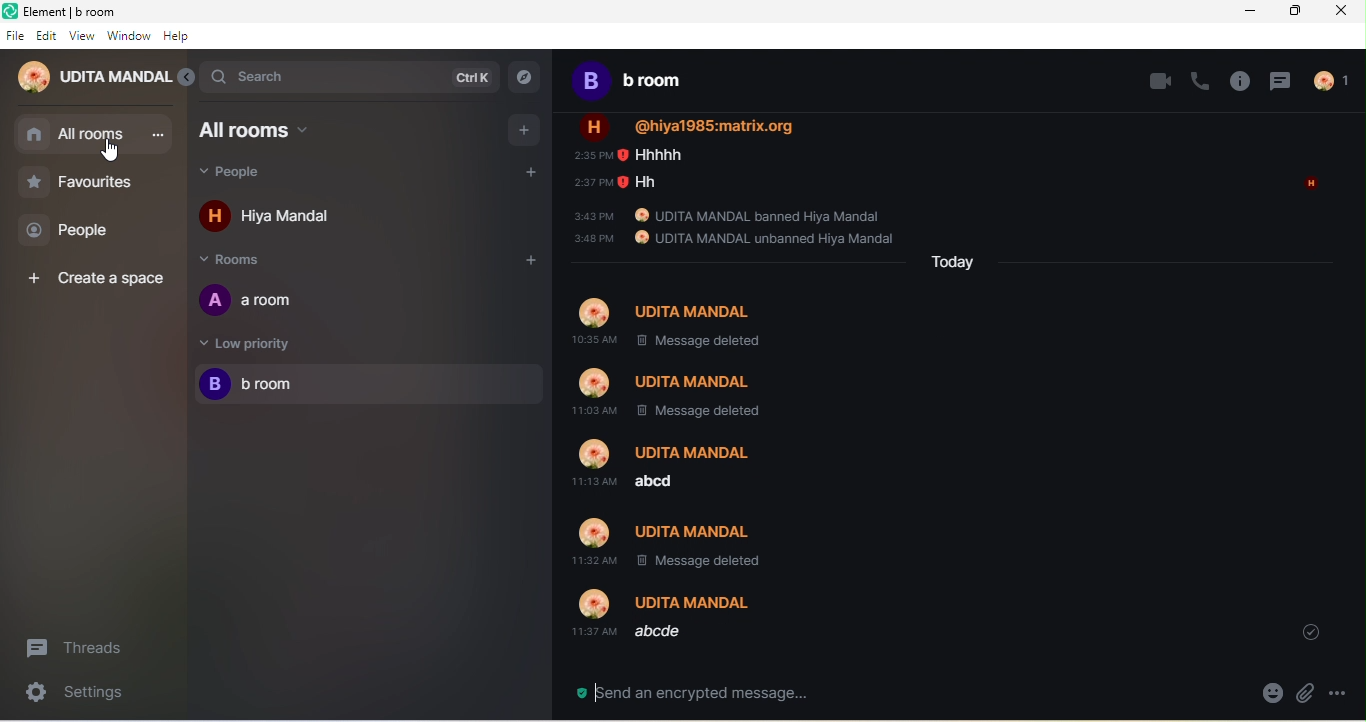 This screenshot has width=1366, height=722. I want to click on italicised text, so click(677, 620).